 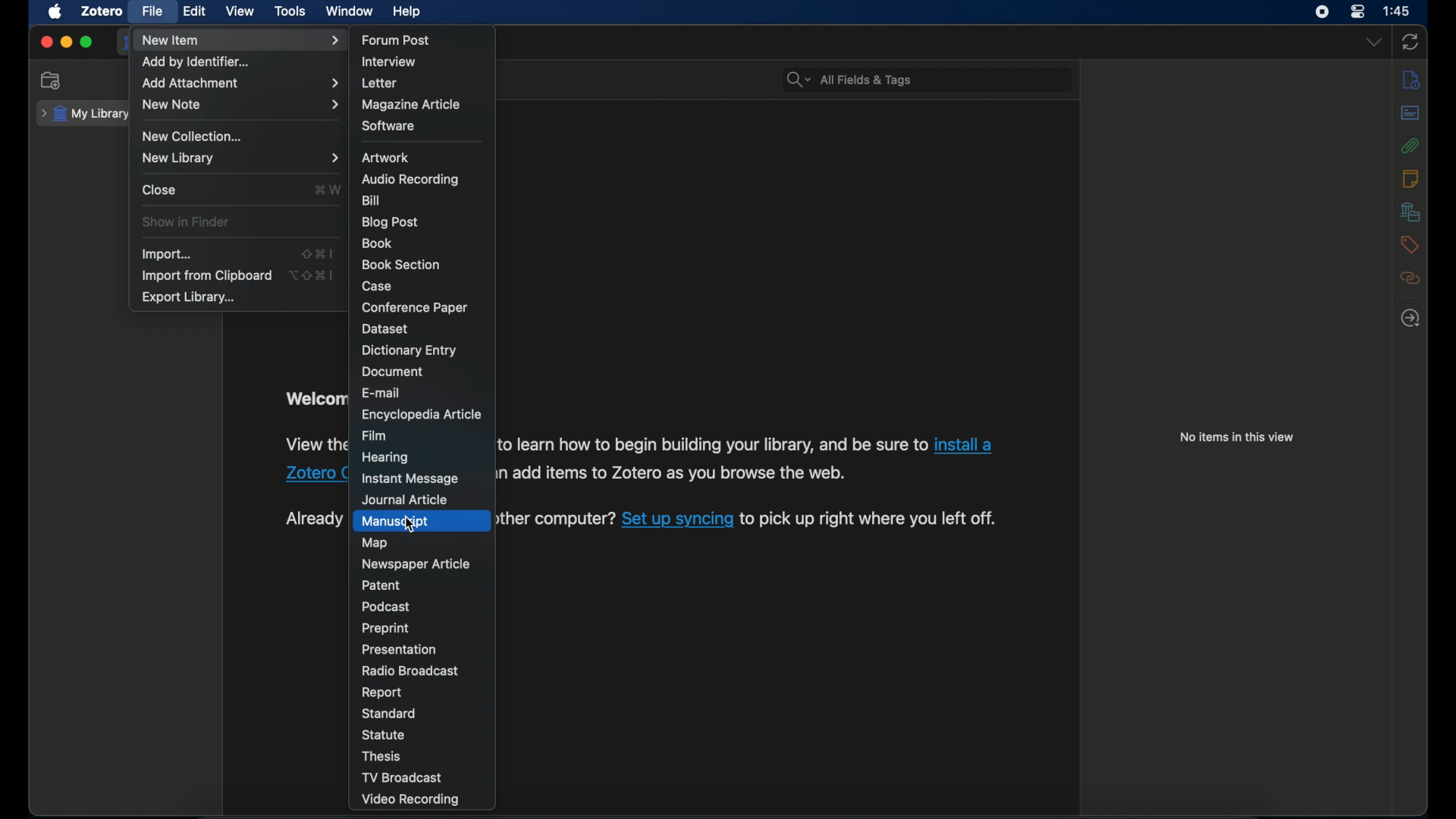 I want to click on new library, so click(x=238, y=158).